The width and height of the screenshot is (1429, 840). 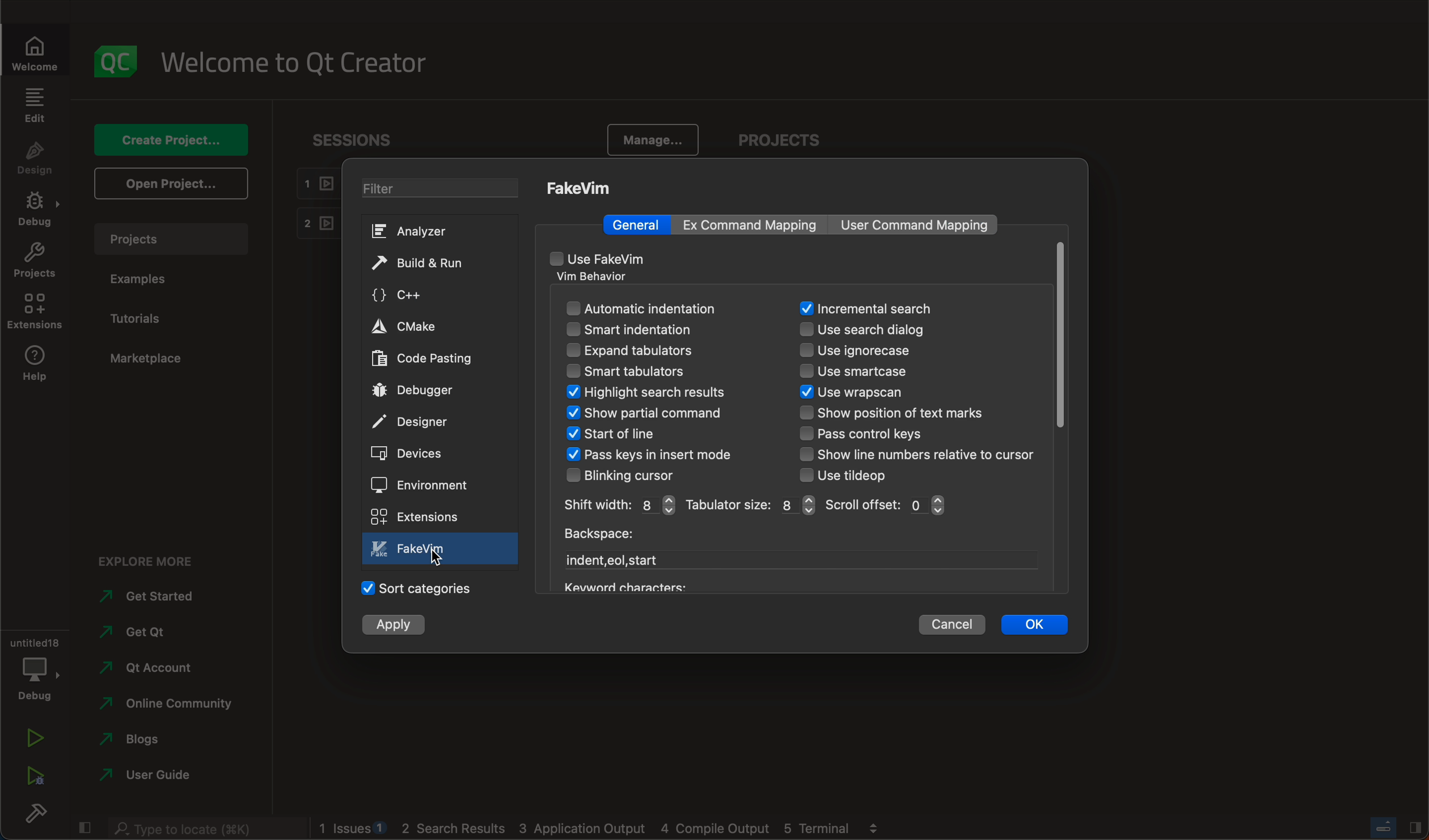 What do you see at coordinates (866, 309) in the screenshot?
I see `search` at bounding box center [866, 309].